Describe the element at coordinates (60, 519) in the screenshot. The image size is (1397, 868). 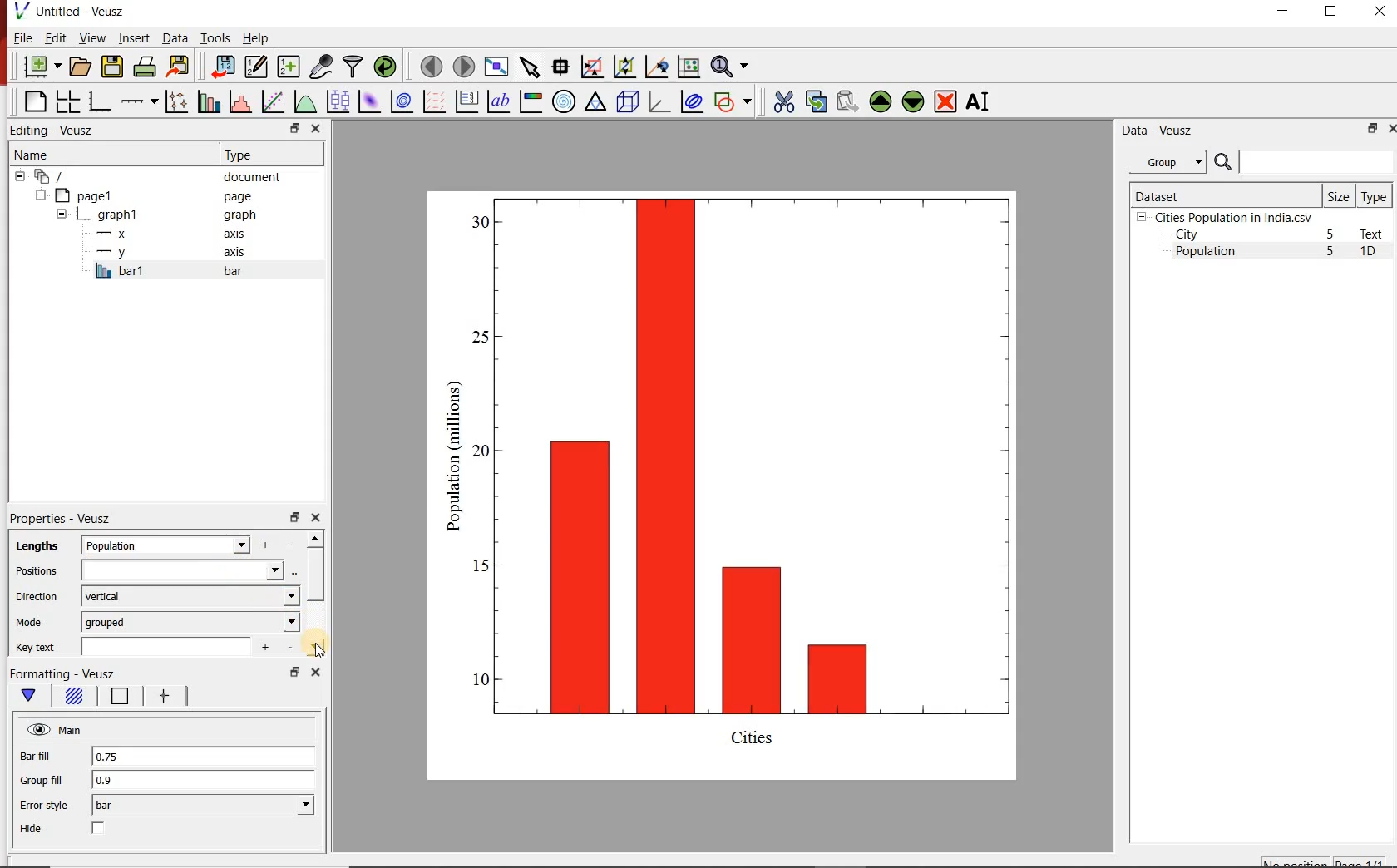
I see `Properties - Veusz` at that location.